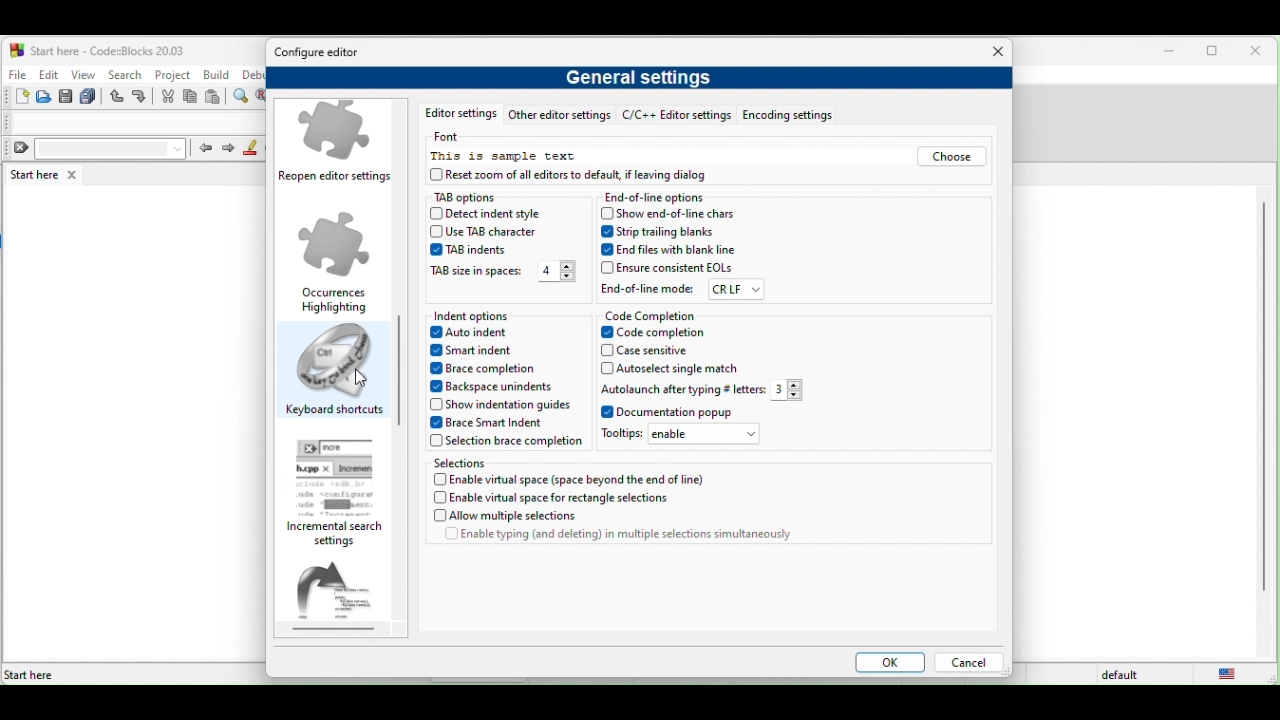 This screenshot has width=1280, height=720. Describe the element at coordinates (573, 479) in the screenshot. I see `enable virtual space (space beyond the end of the line)` at that location.